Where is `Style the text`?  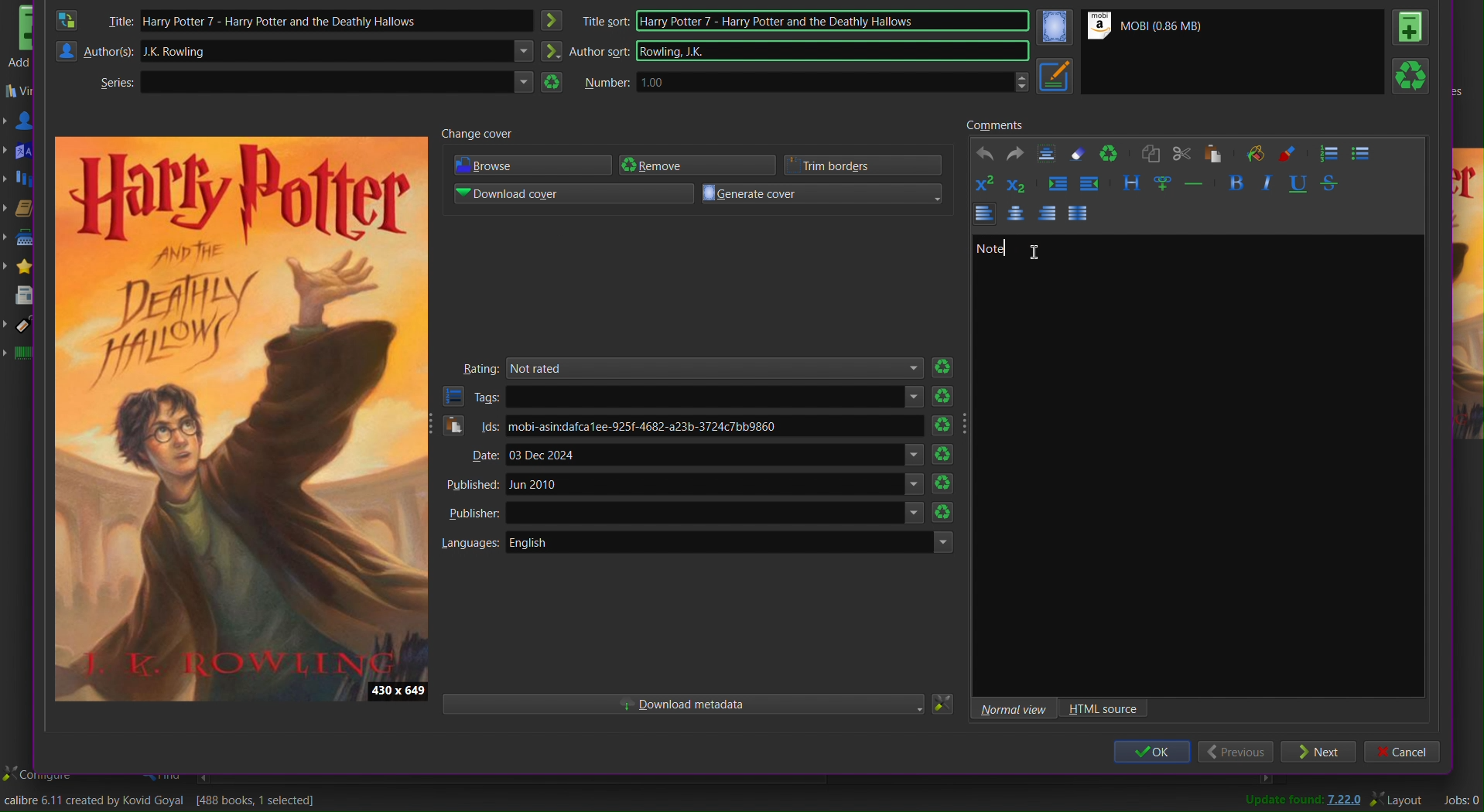 Style the text is located at coordinates (1133, 183).